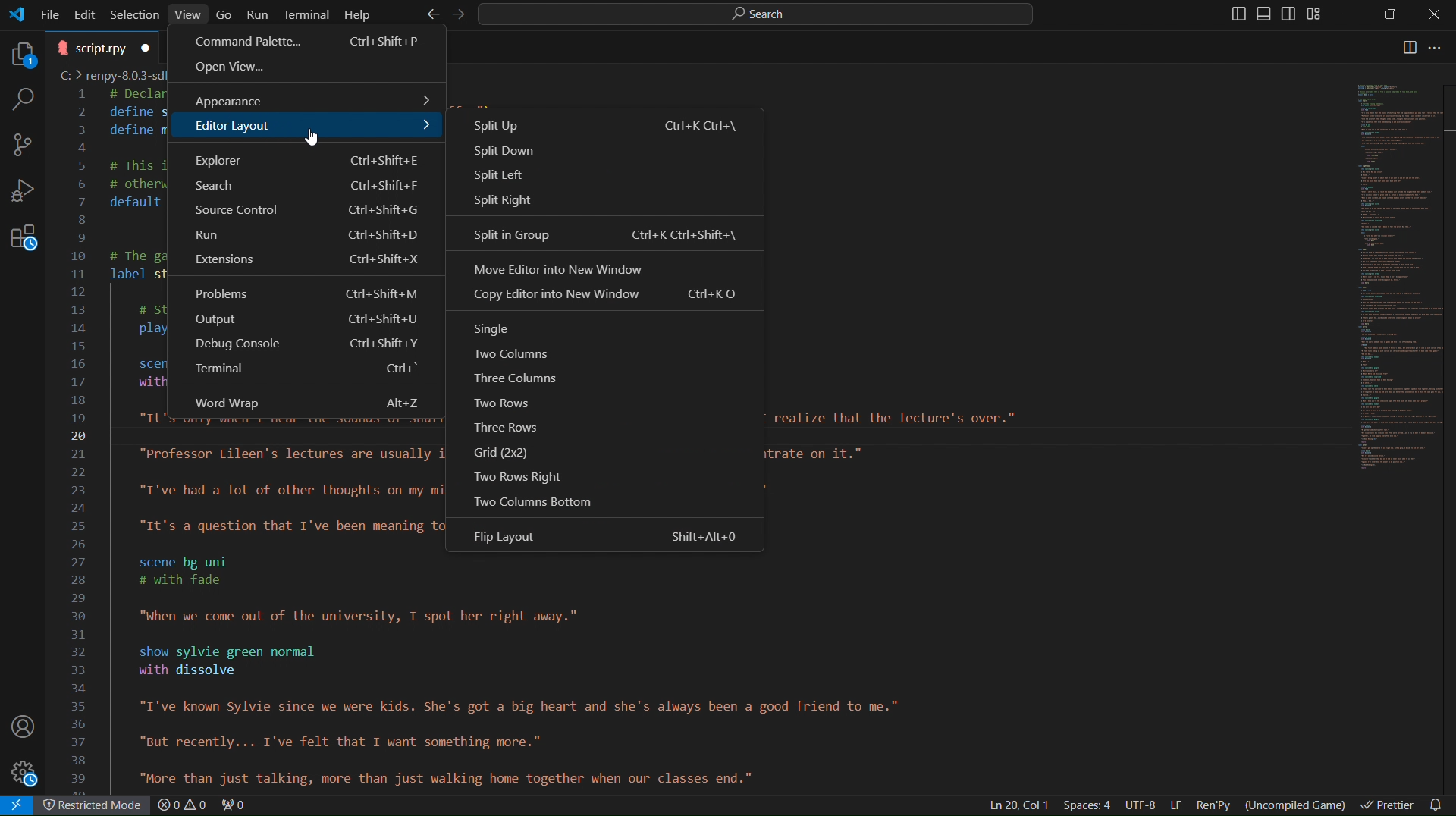 This screenshot has width=1456, height=816. Describe the element at coordinates (310, 137) in the screenshot. I see `Cursor` at that location.